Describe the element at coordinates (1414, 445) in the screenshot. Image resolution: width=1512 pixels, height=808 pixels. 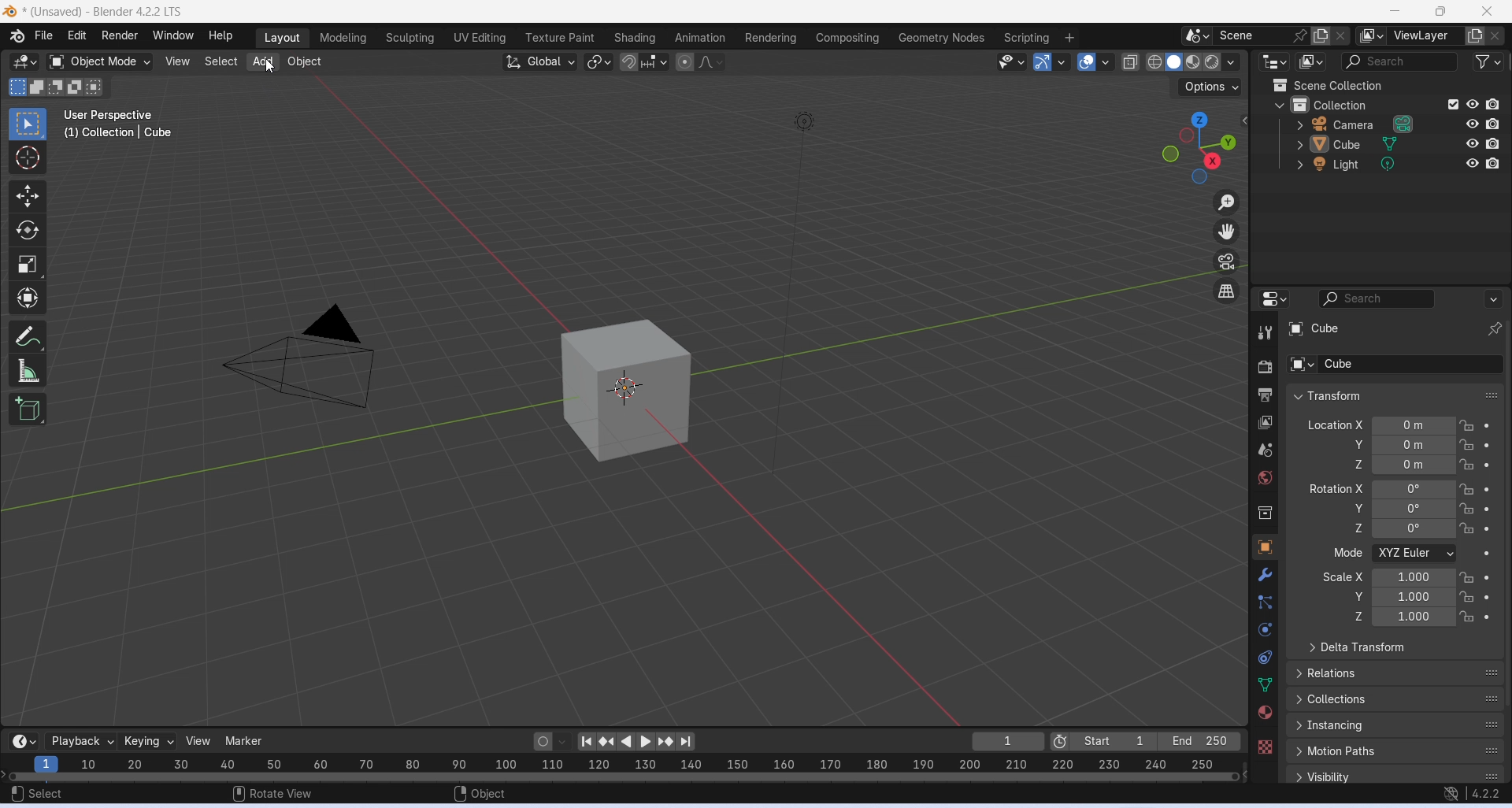
I see `location` at that location.